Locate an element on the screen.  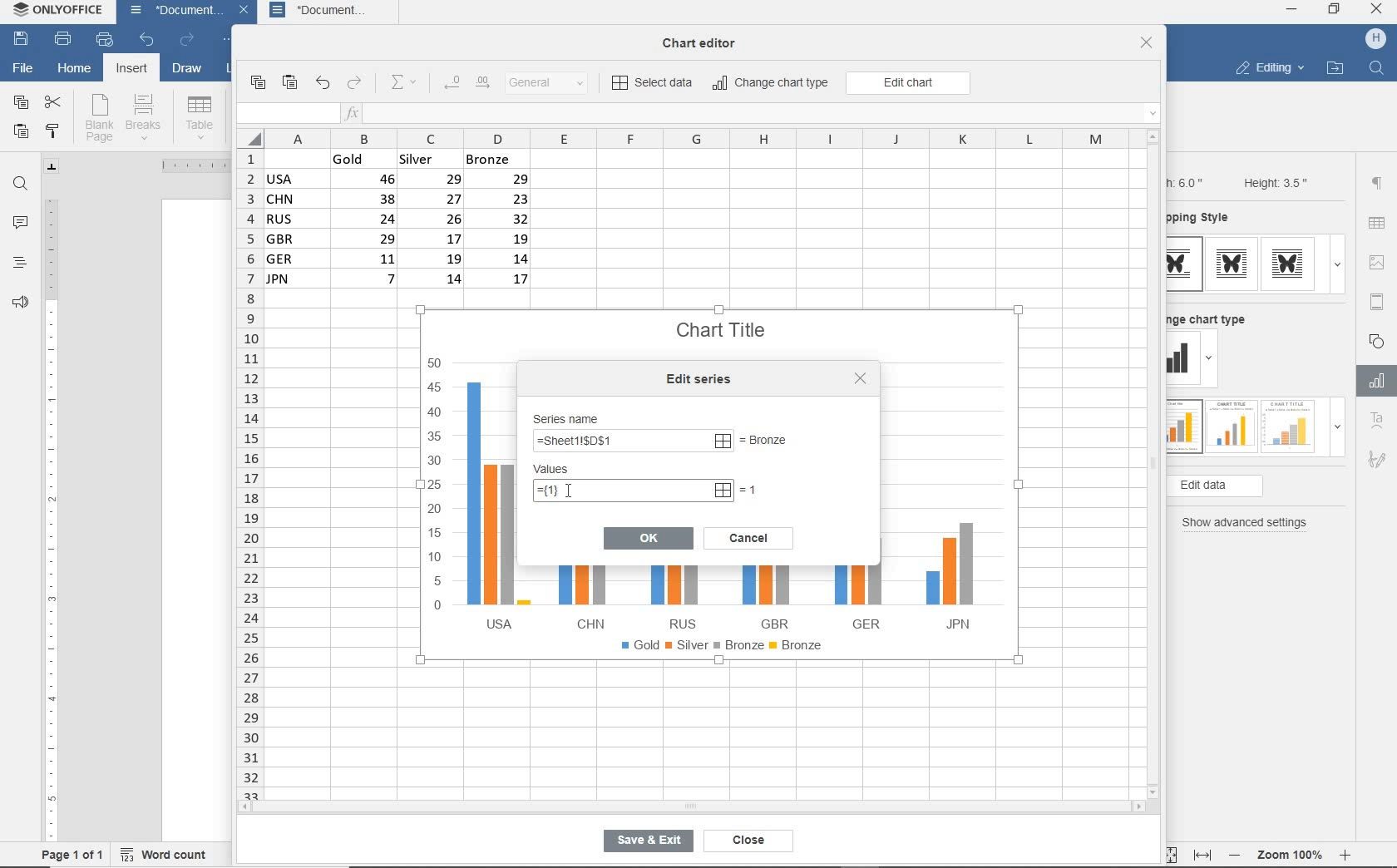
breaks is located at coordinates (146, 117).